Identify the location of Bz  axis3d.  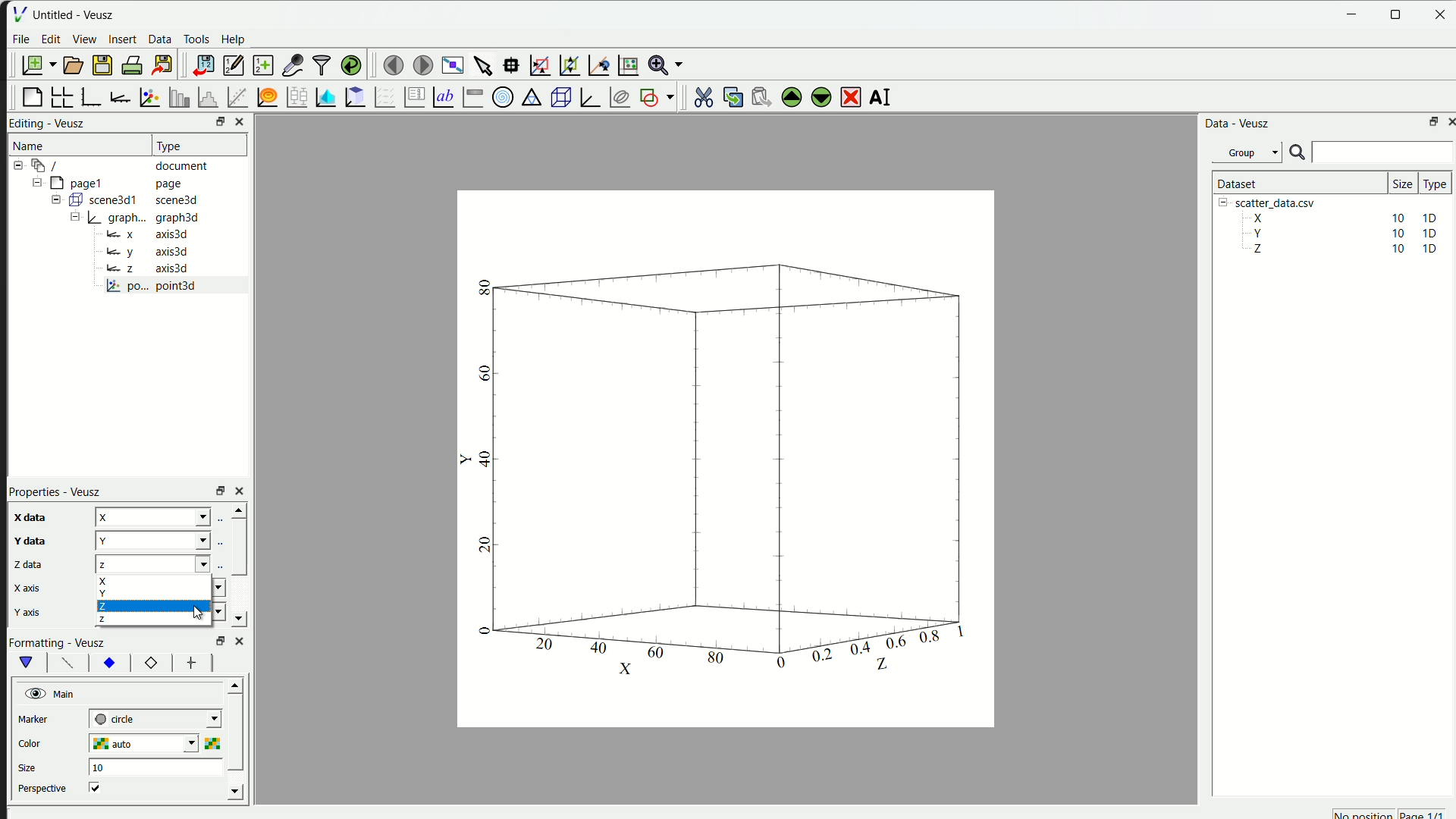
(144, 268).